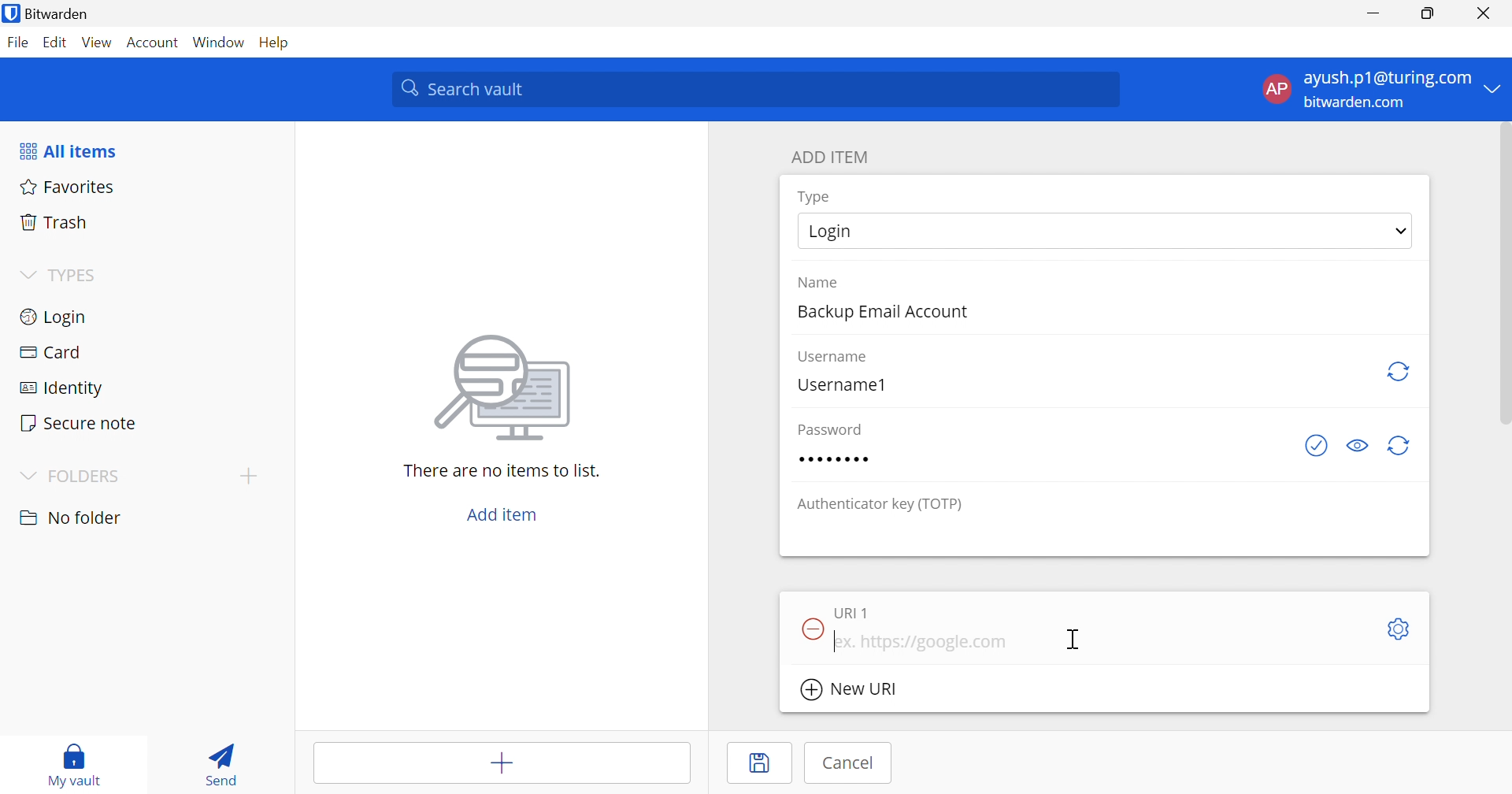 This screenshot has height=794, width=1512. What do you see at coordinates (851, 762) in the screenshot?
I see `Cancel` at bounding box center [851, 762].